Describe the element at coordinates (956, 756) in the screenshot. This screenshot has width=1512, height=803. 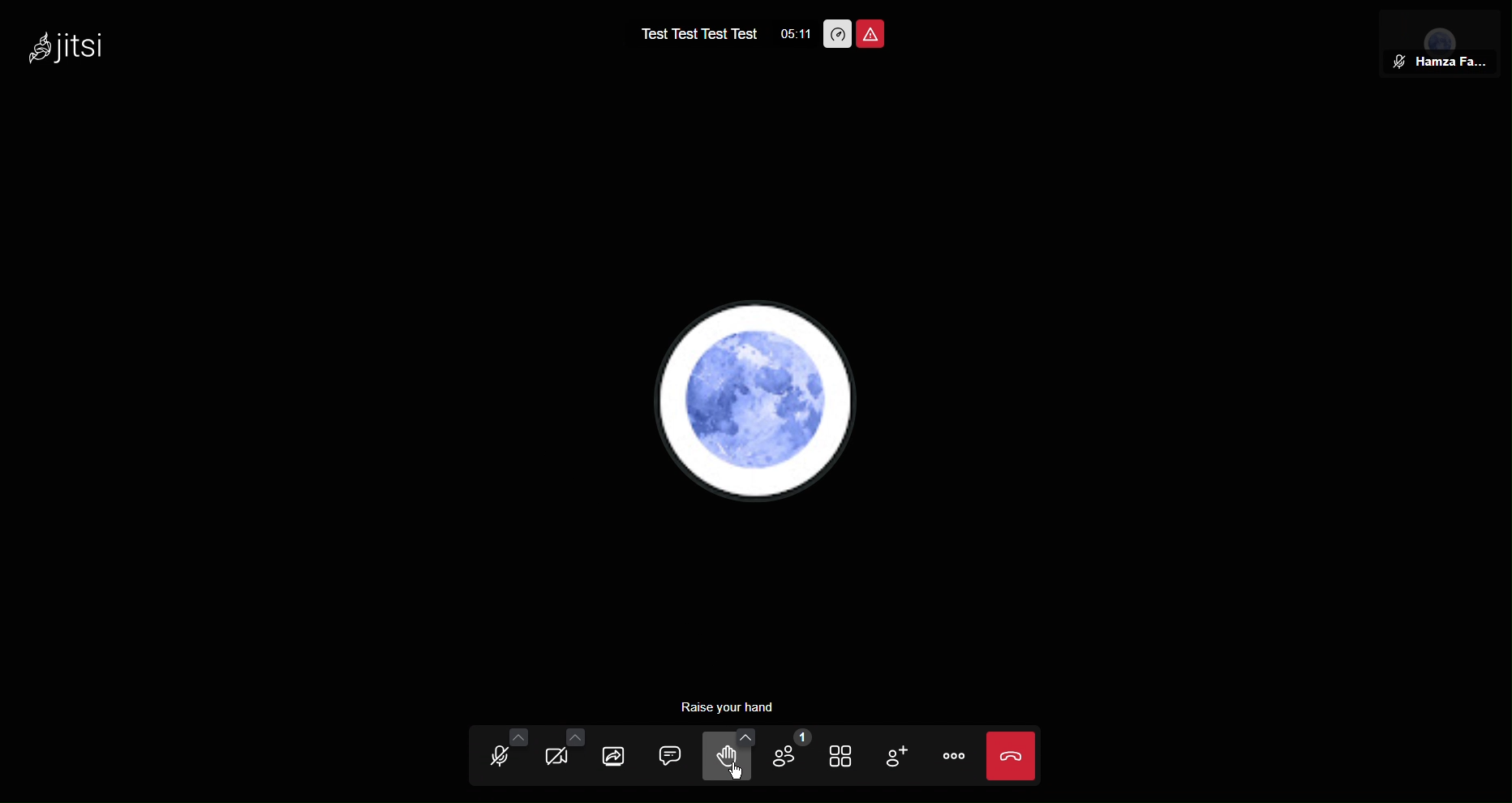
I see `More` at that location.